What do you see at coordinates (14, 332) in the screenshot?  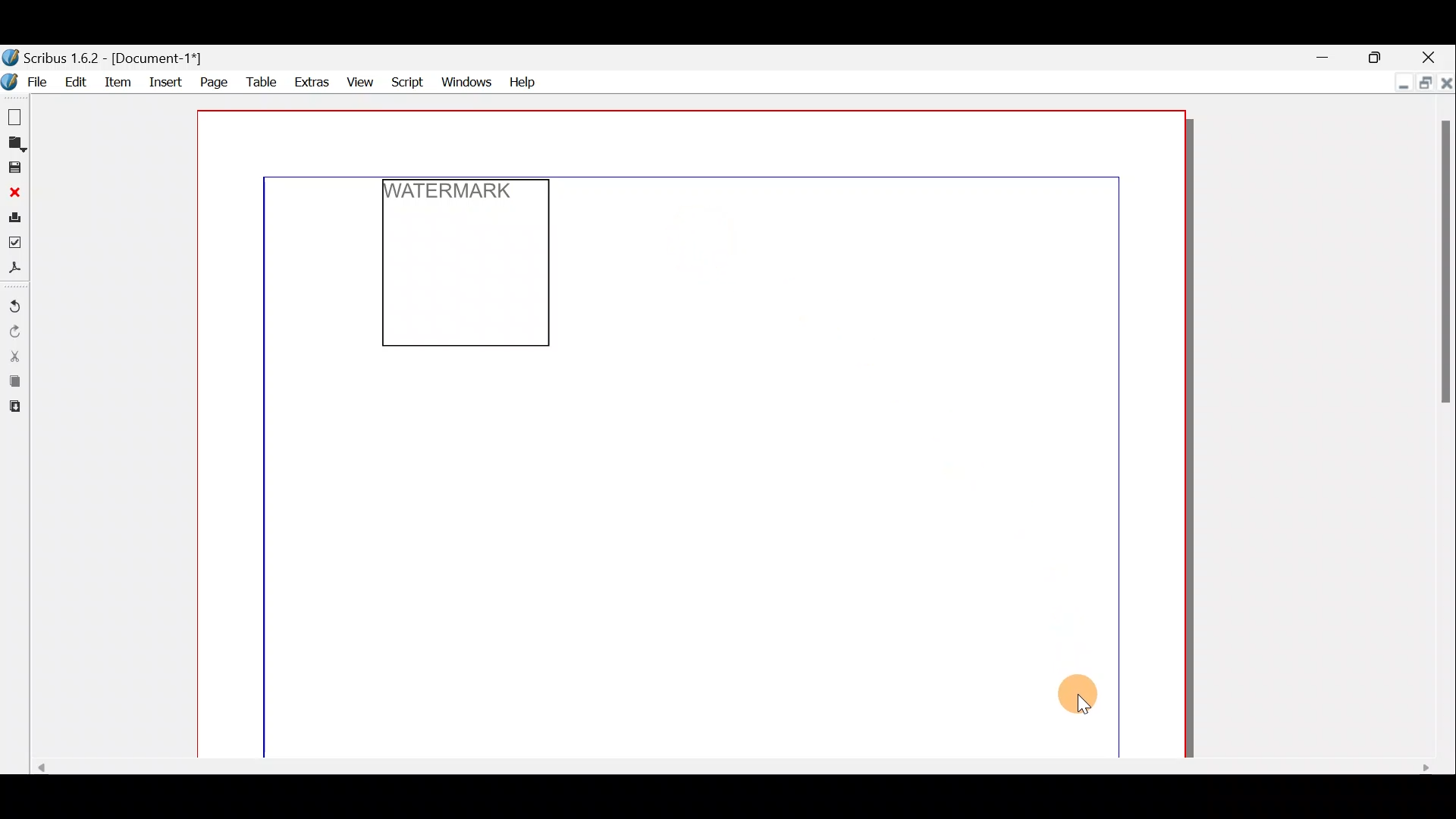 I see `Redo` at bounding box center [14, 332].